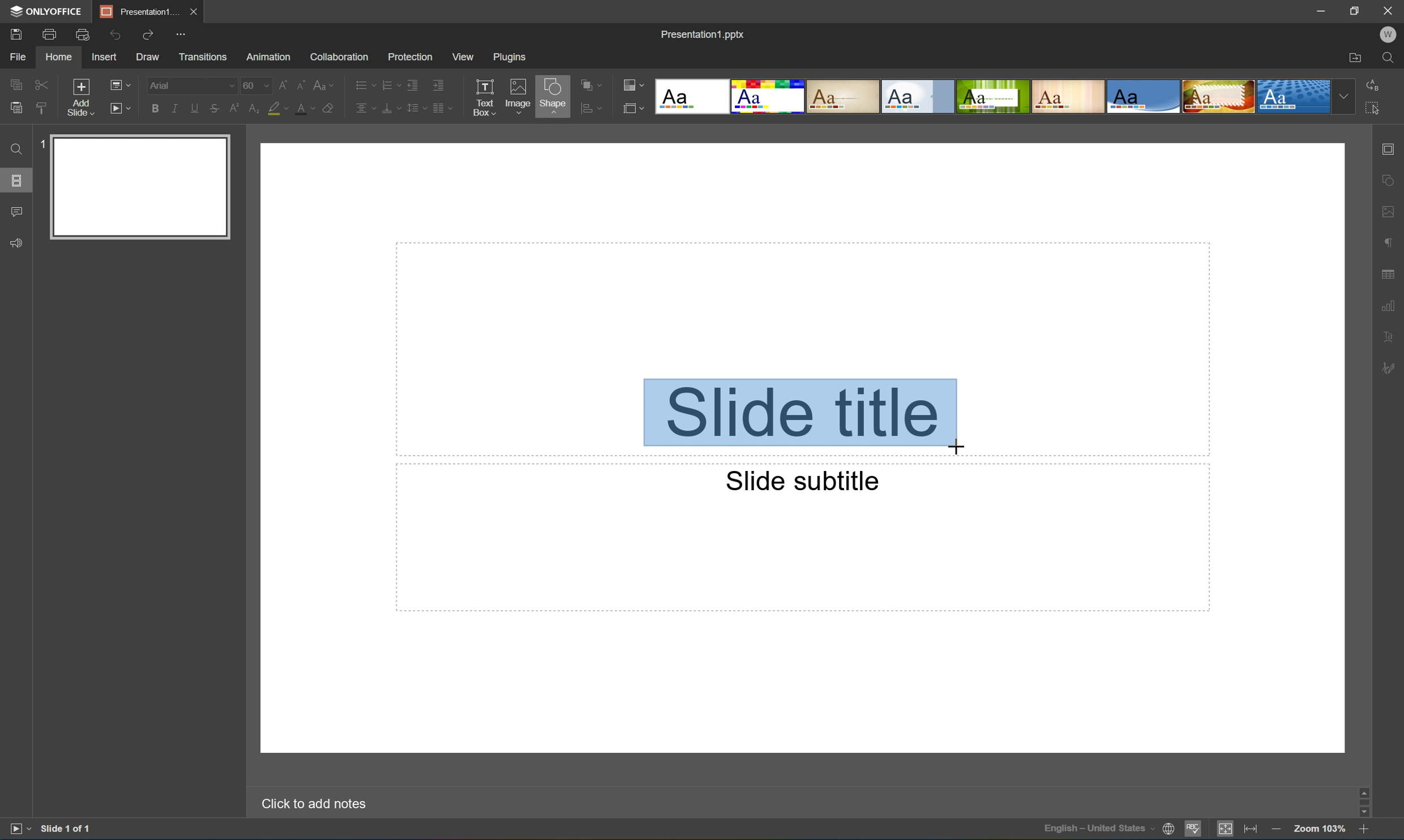 This screenshot has width=1404, height=840. What do you see at coordinates (1376, 84) in the screenshot?
I see `Replace` at bounding box center [1376, 84].